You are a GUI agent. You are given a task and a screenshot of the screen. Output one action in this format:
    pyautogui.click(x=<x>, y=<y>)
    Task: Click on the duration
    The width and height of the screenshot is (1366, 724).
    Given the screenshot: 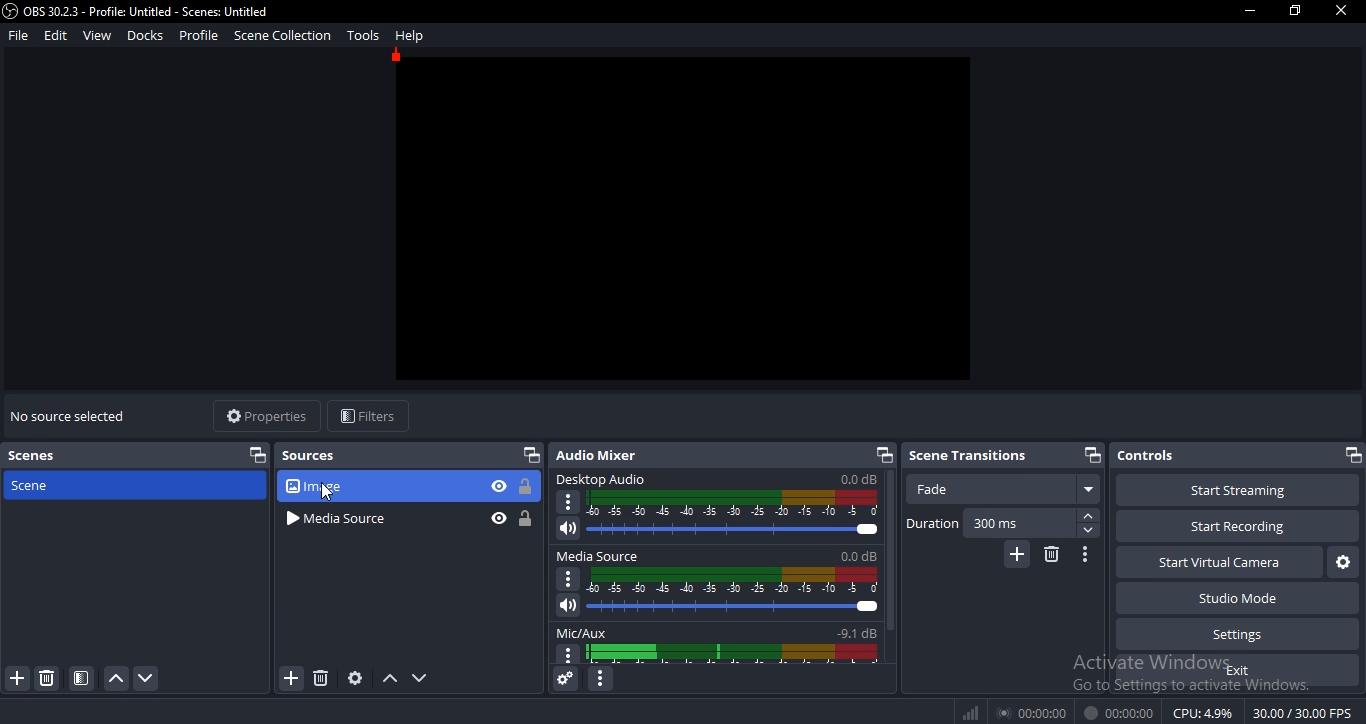 What is the action you would take?
    pyautogui.click(x=933, y=522)
    